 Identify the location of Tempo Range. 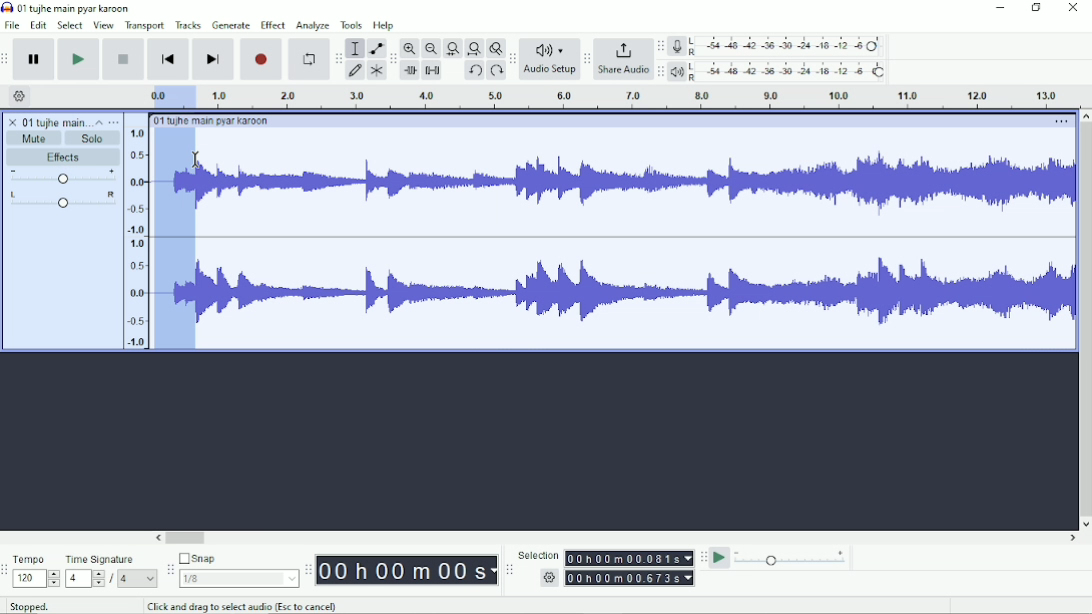
(36, 578).